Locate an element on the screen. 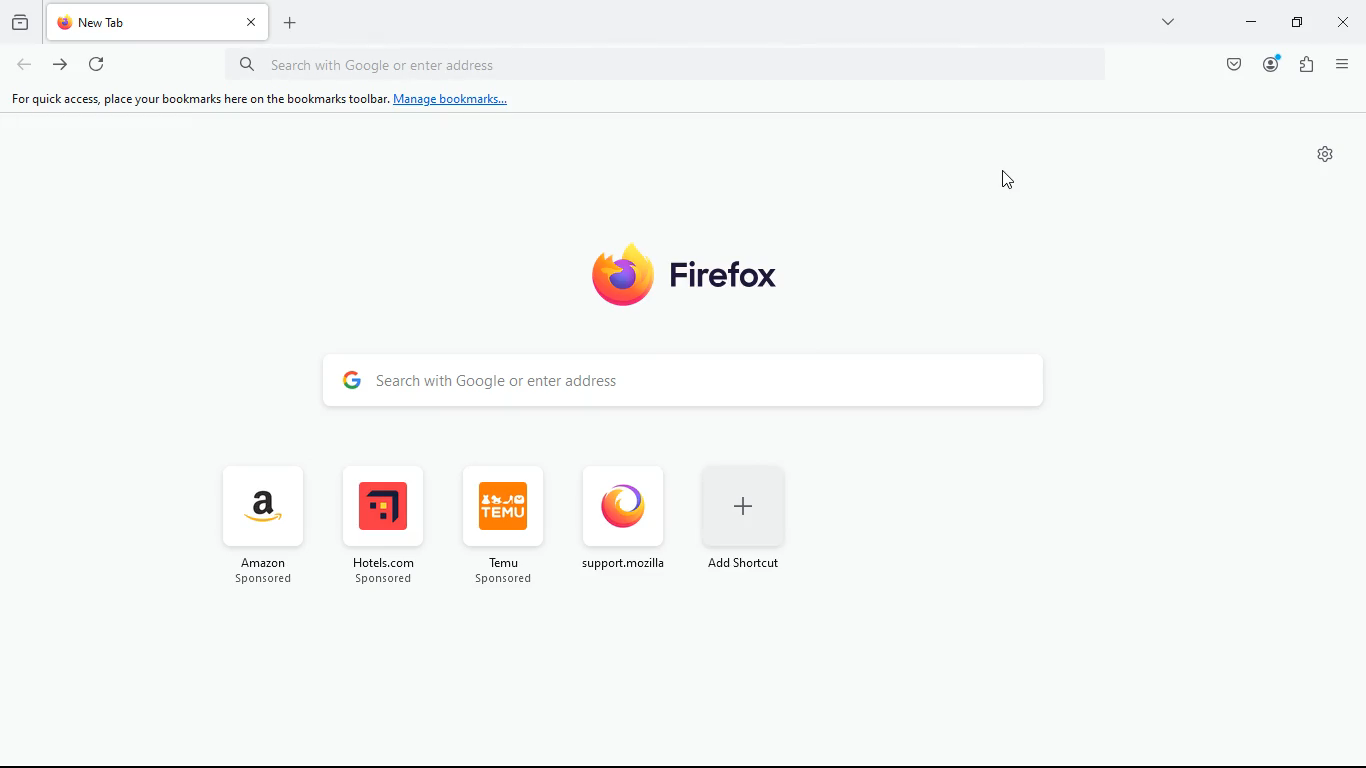  new tab is located at coordinates (139, 22).